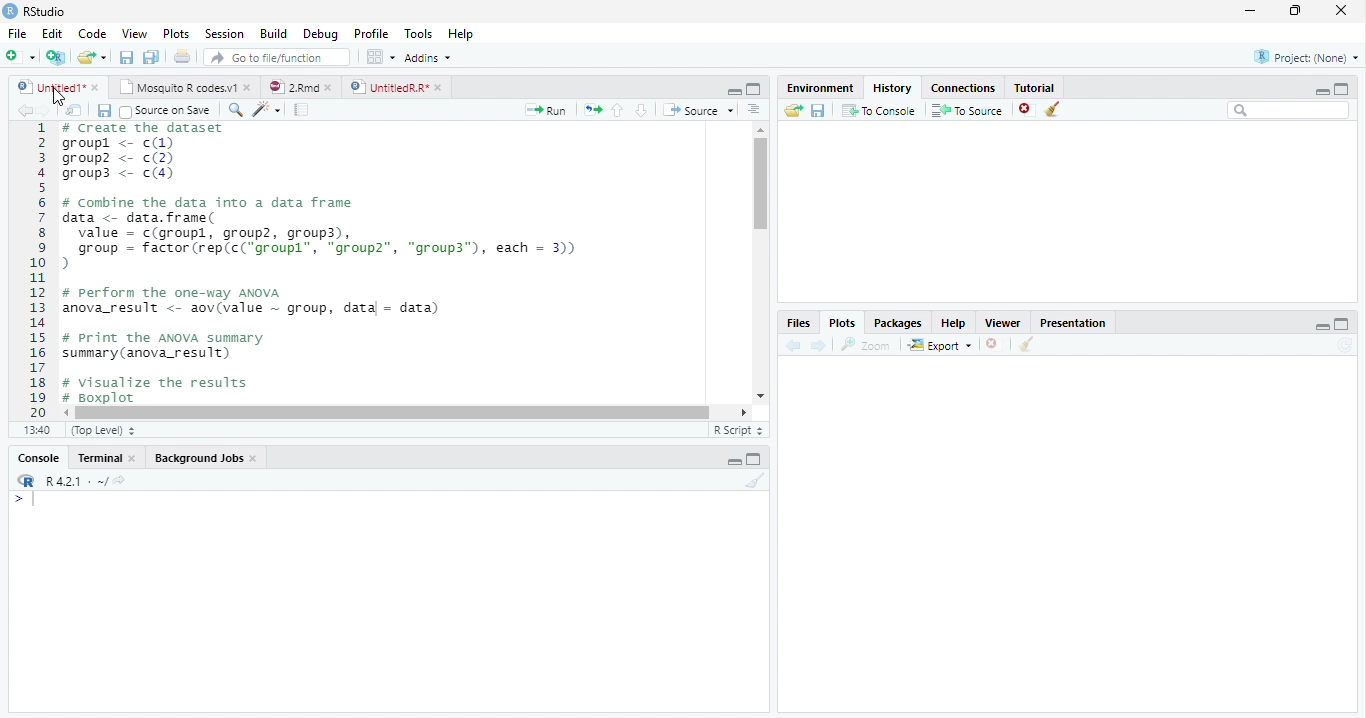 The height and width of the screenshot is (718, 1366). Describe the element at coordinates (546, 110) in the screenshot. I see `Run` at that location.